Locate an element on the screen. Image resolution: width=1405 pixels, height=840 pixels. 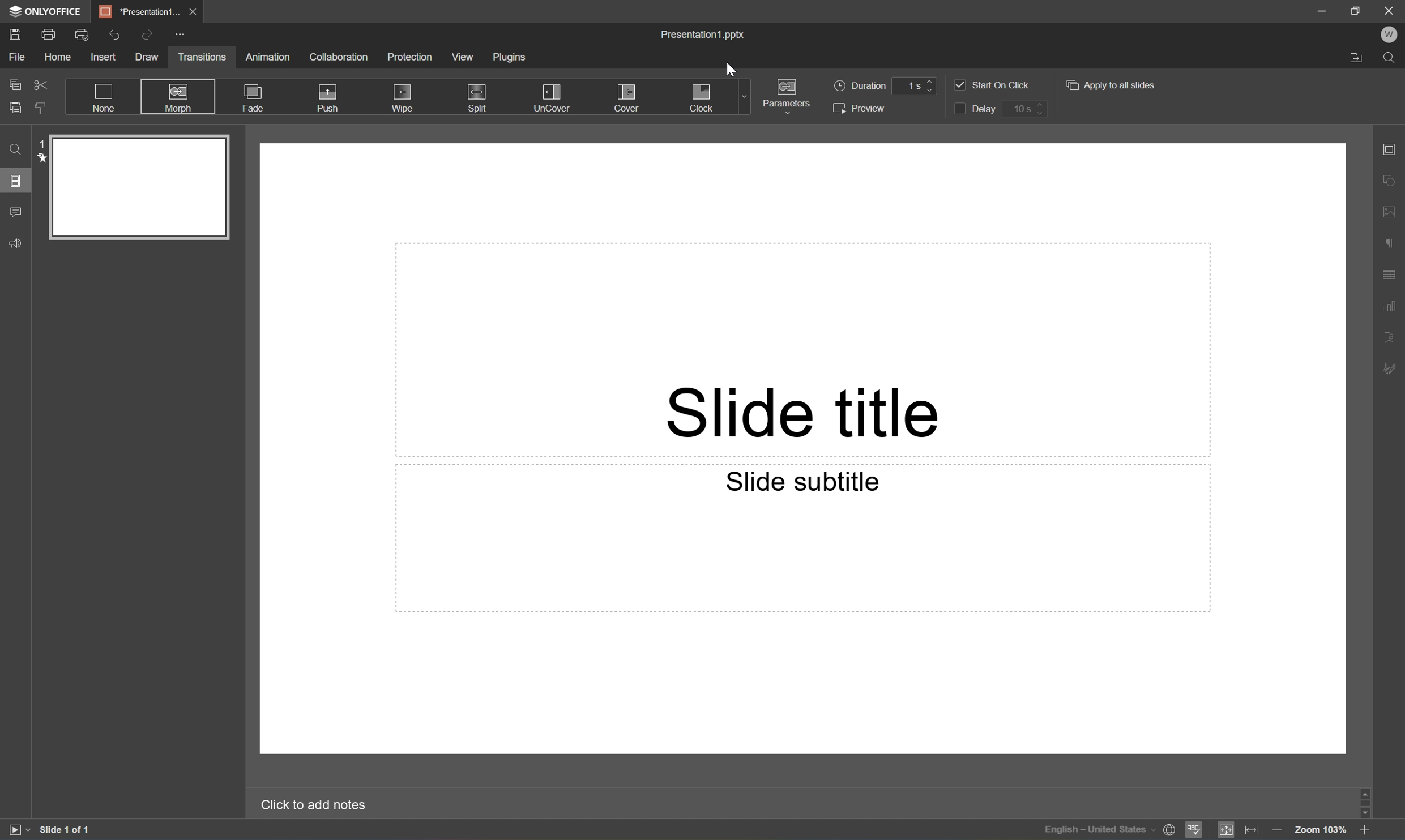
1 is located at coordinates (36, 143).